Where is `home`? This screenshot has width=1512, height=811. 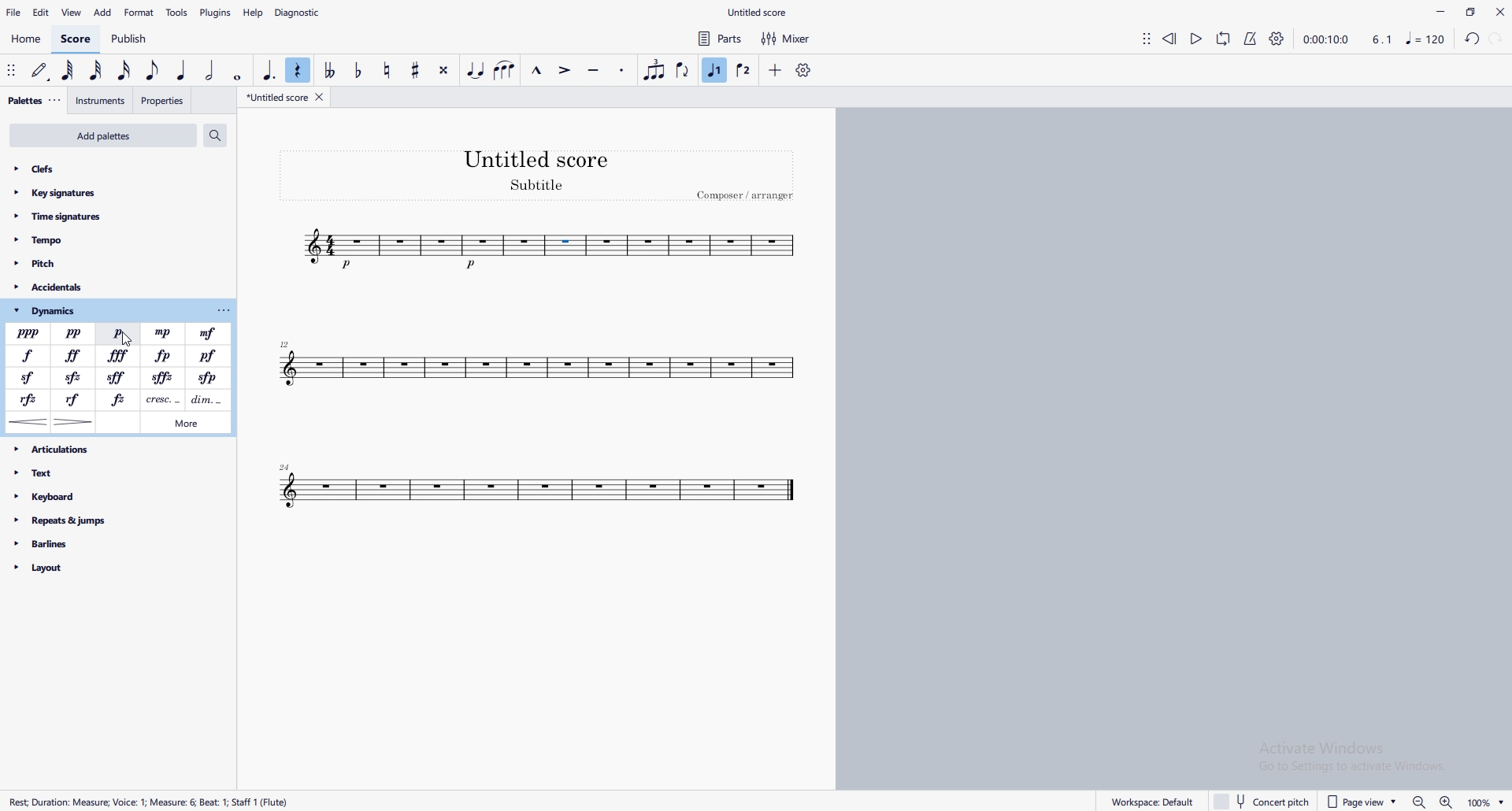
home is located at coordinates (27, 39).